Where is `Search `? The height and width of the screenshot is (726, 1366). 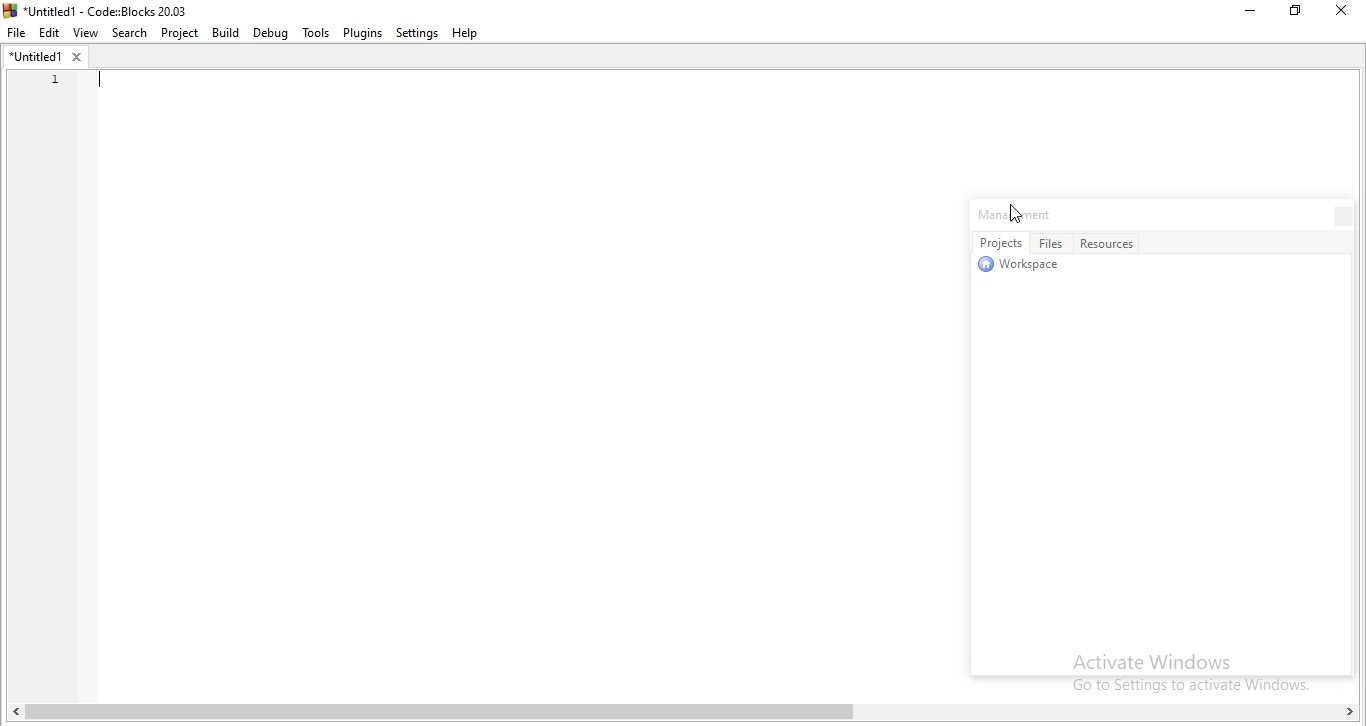
Search  is located at coordinates (130, 33).